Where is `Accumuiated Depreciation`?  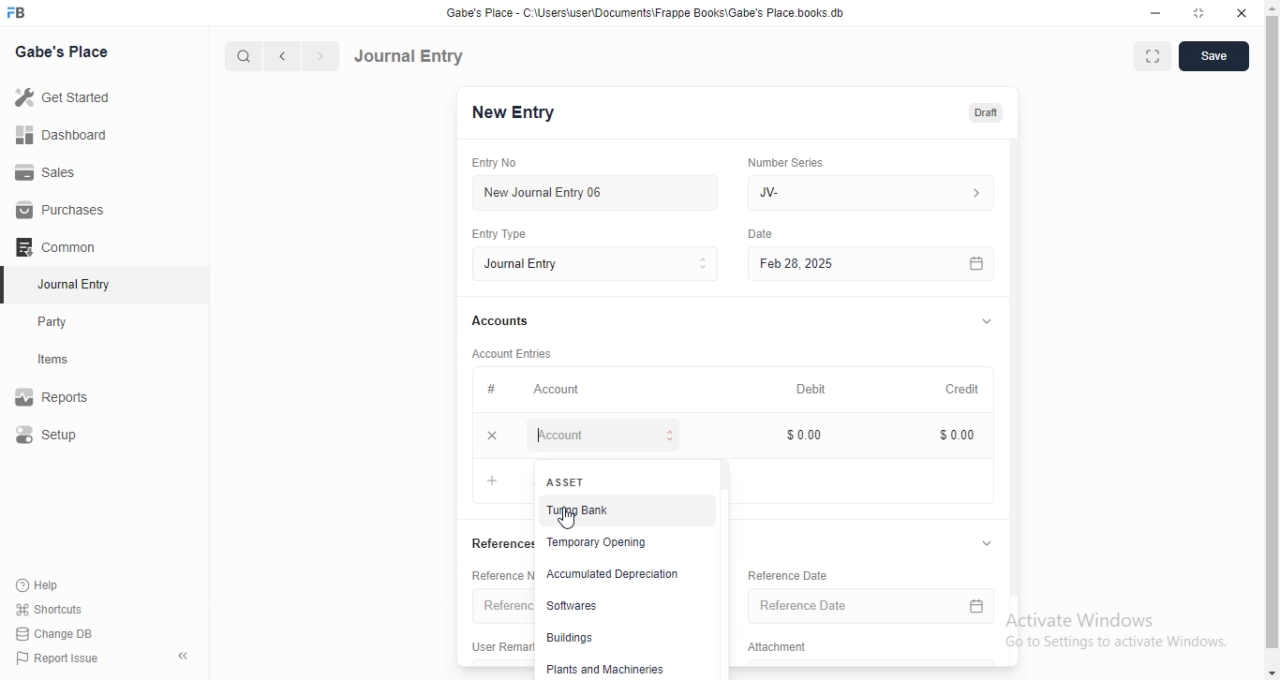
Accumuiated Depreciation is located at coordinates (623, 574).